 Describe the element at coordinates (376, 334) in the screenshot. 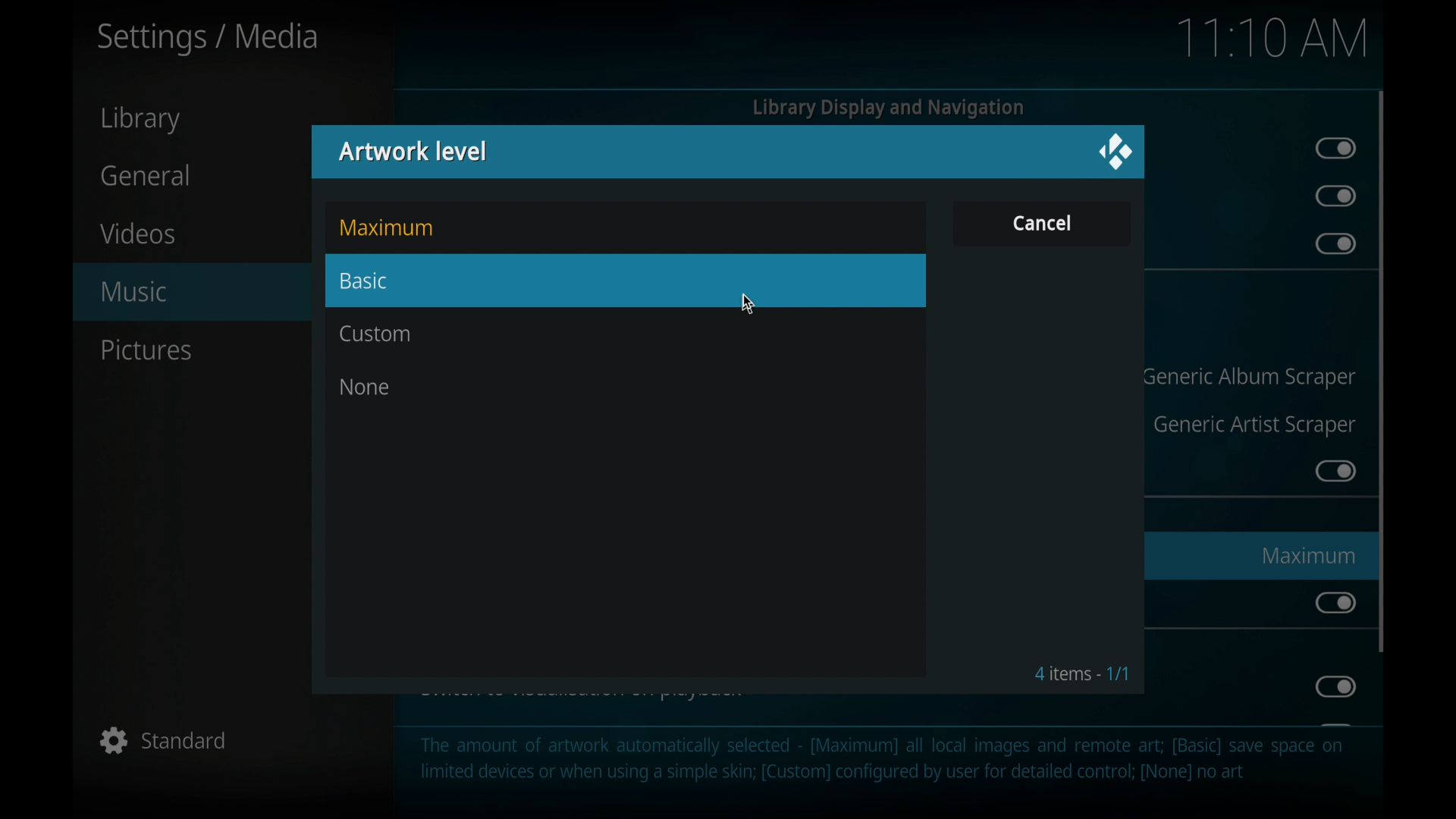

I see `custom` at that location.